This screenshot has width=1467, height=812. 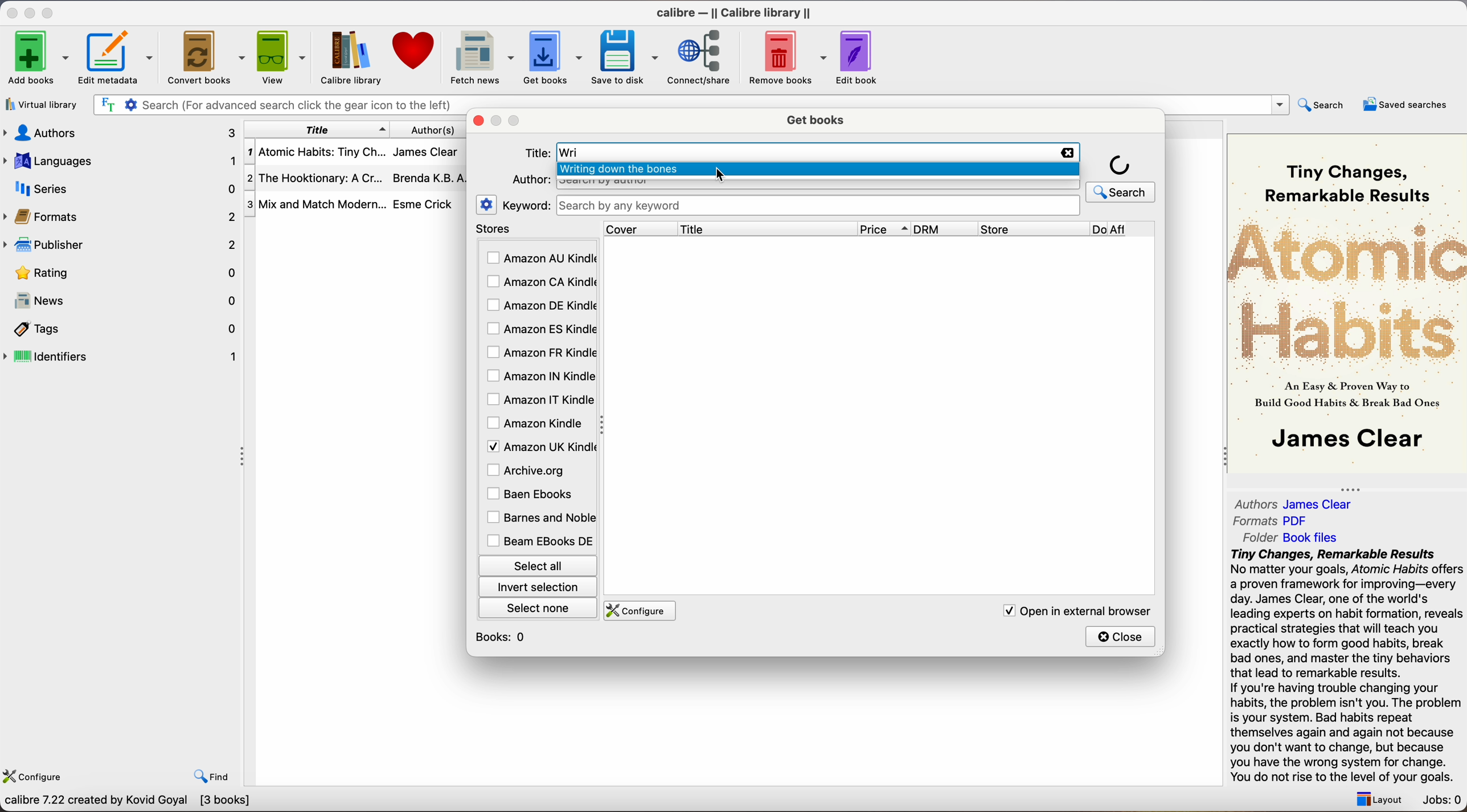 What do you see at coordinates (11, 13) in the screenshot?
I see `close` at bounding box center [11, 13].